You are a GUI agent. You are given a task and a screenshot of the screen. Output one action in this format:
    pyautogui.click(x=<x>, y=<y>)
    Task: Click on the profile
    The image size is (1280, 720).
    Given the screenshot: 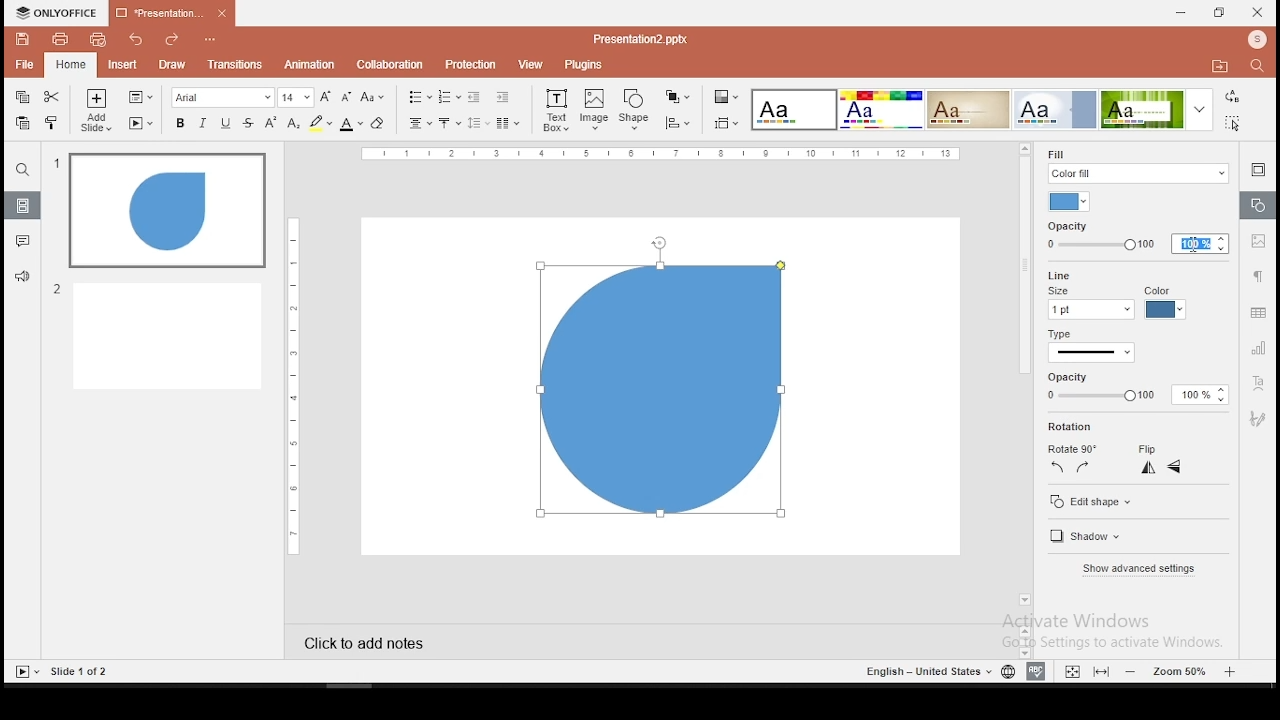 What is the action you would take?
    pyautogui.click(x=1255, y=39)
    